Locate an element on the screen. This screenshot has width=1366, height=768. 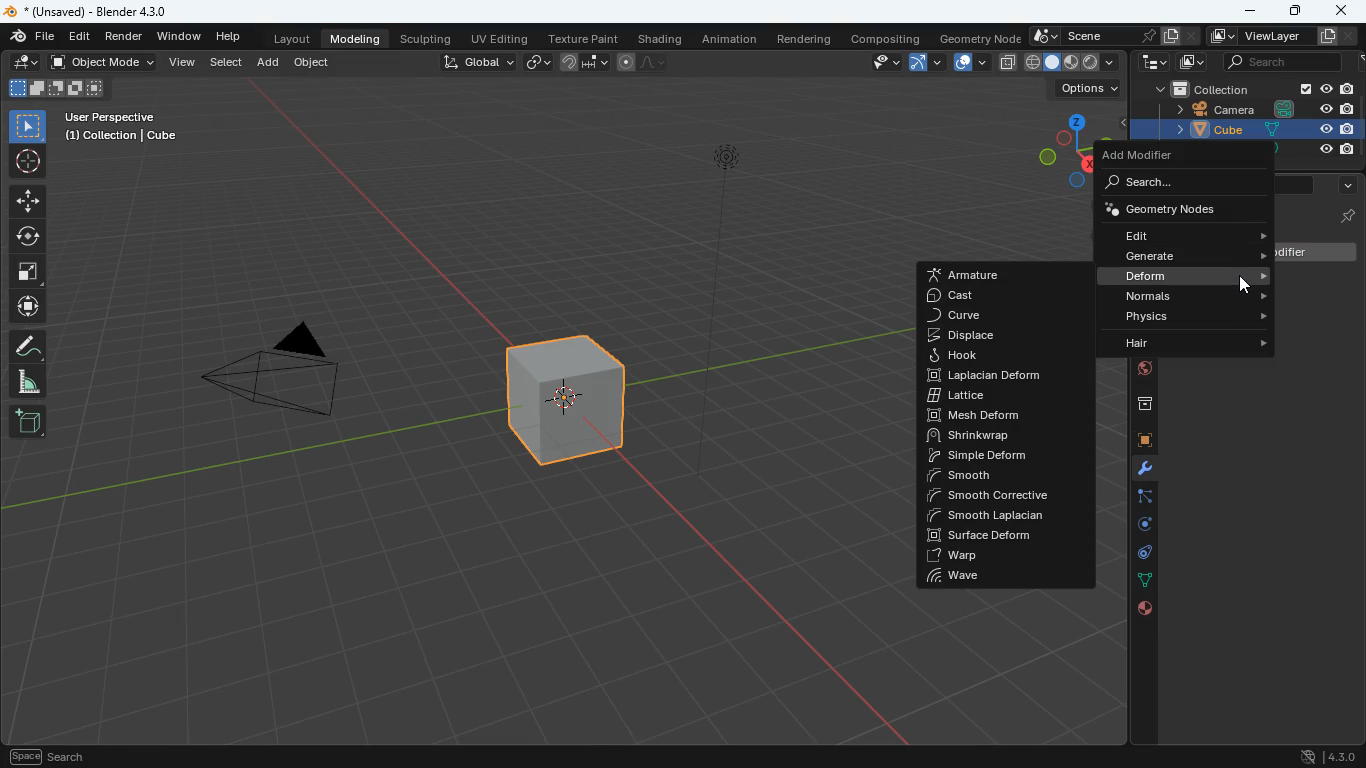
geometry node is located at coordinates (982, 38).